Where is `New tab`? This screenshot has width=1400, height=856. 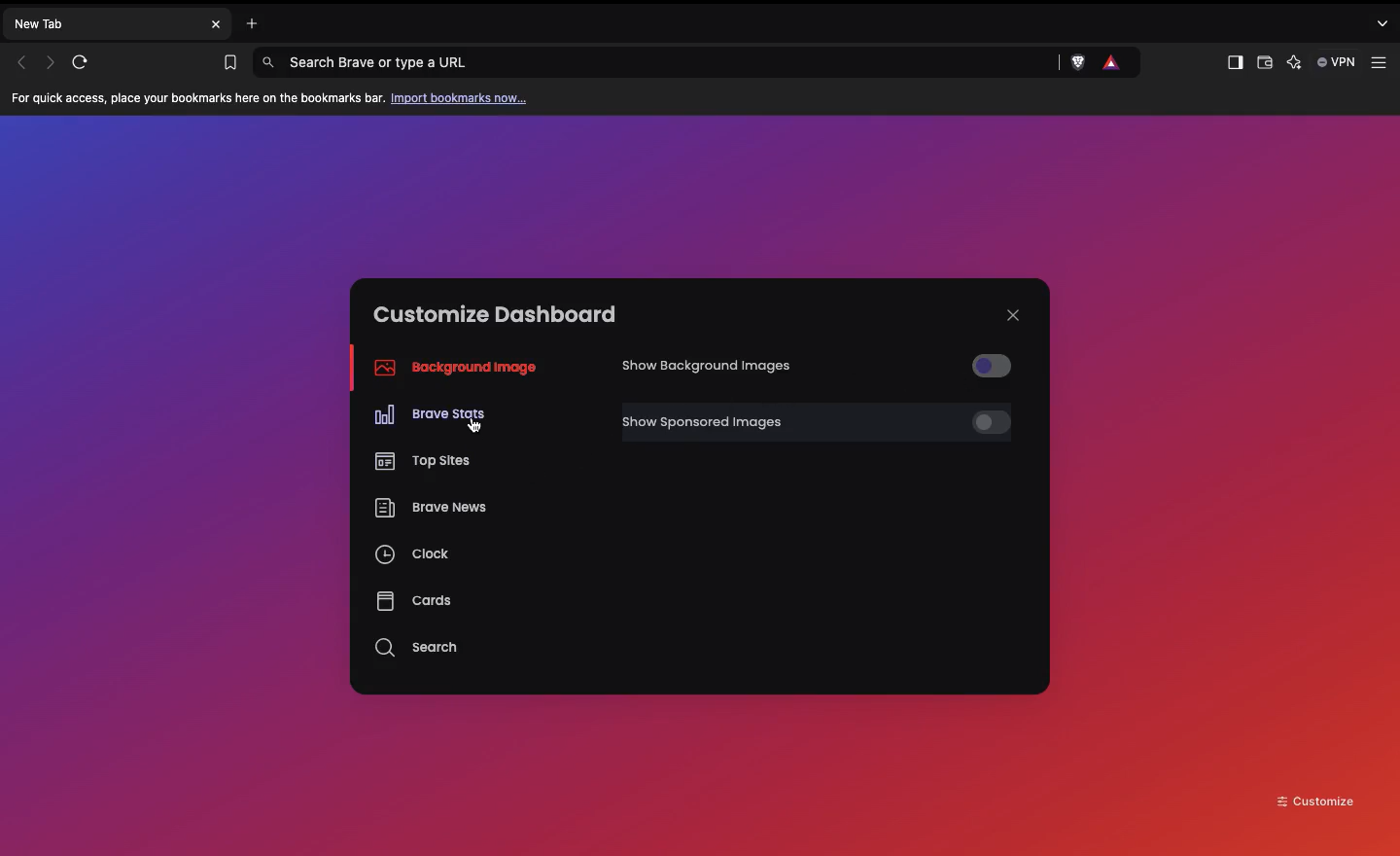
New tab is located at coordinates (103, 22).